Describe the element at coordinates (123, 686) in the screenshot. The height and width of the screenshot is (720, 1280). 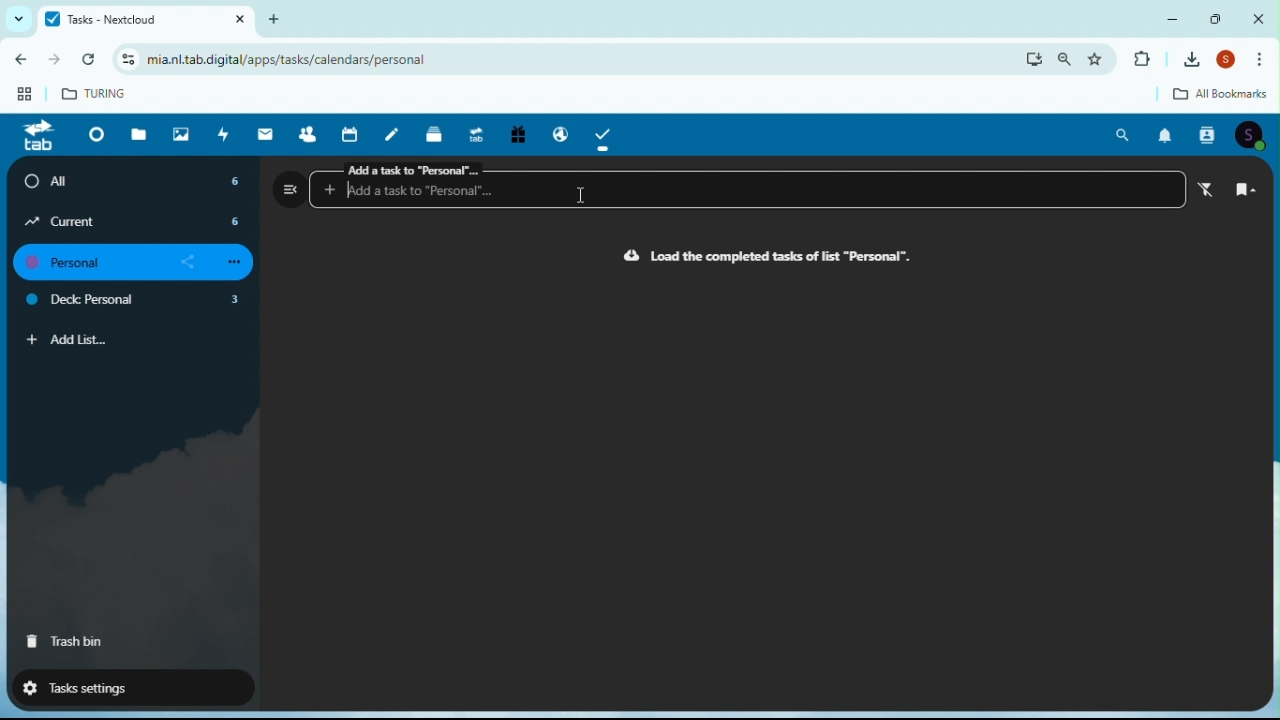
I see `Task settings` at that location.